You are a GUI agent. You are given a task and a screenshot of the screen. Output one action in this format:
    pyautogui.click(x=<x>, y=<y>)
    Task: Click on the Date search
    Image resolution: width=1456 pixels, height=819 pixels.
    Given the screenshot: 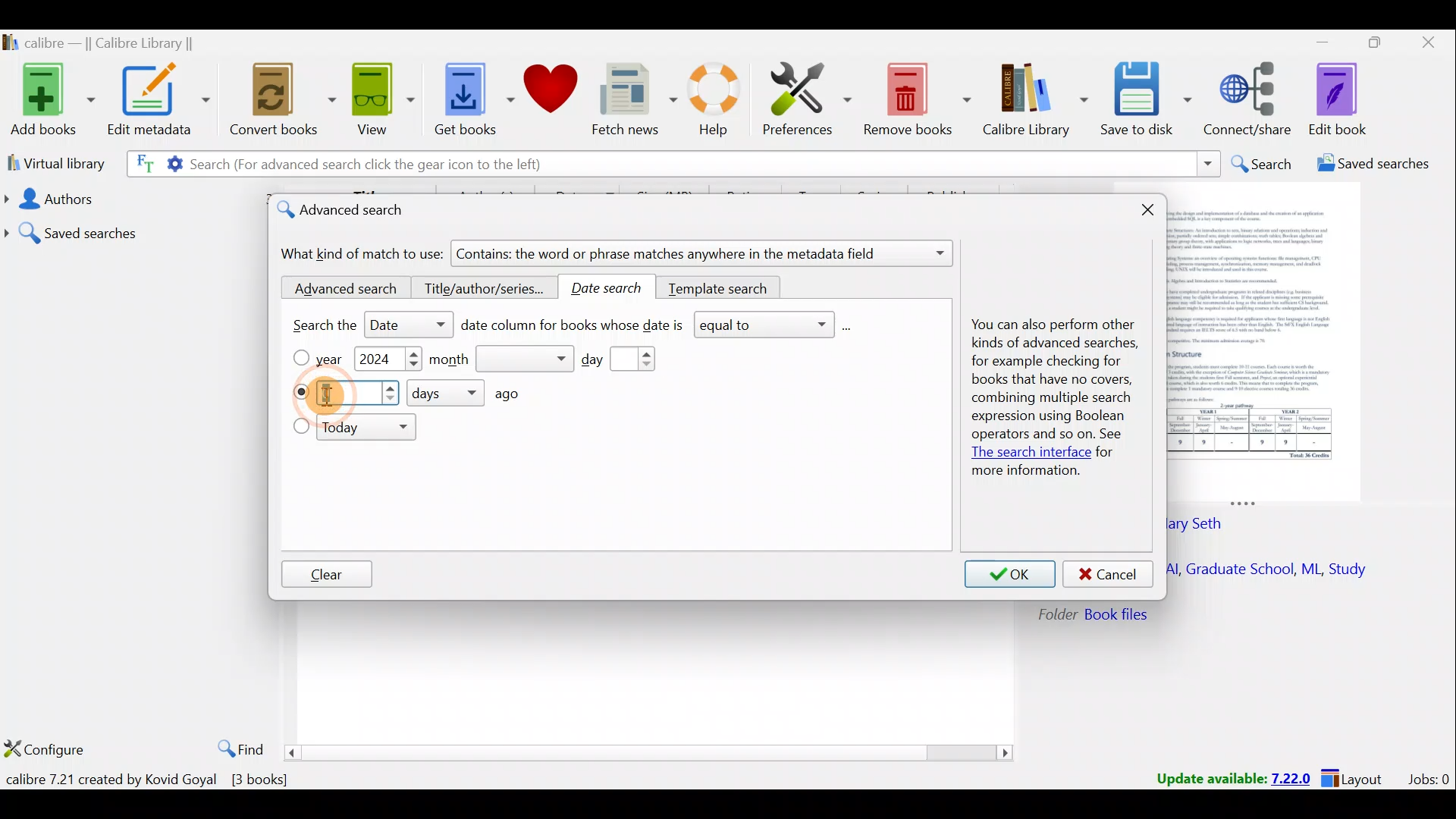 What is the action you would take?
    pyautogui.click(x=613, y=288)
    